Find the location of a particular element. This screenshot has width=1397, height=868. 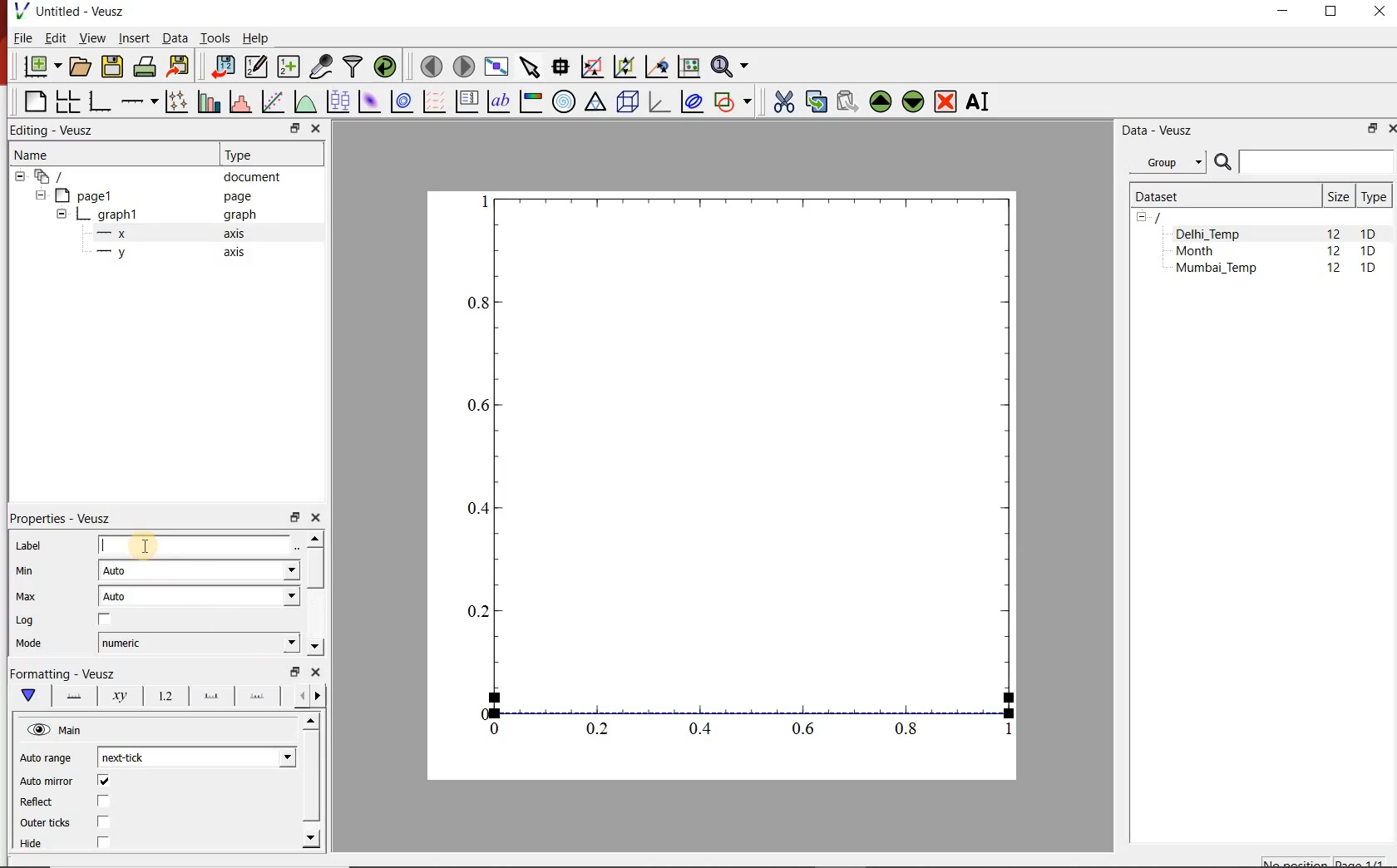

12 is located at coordinates (1335, 270).